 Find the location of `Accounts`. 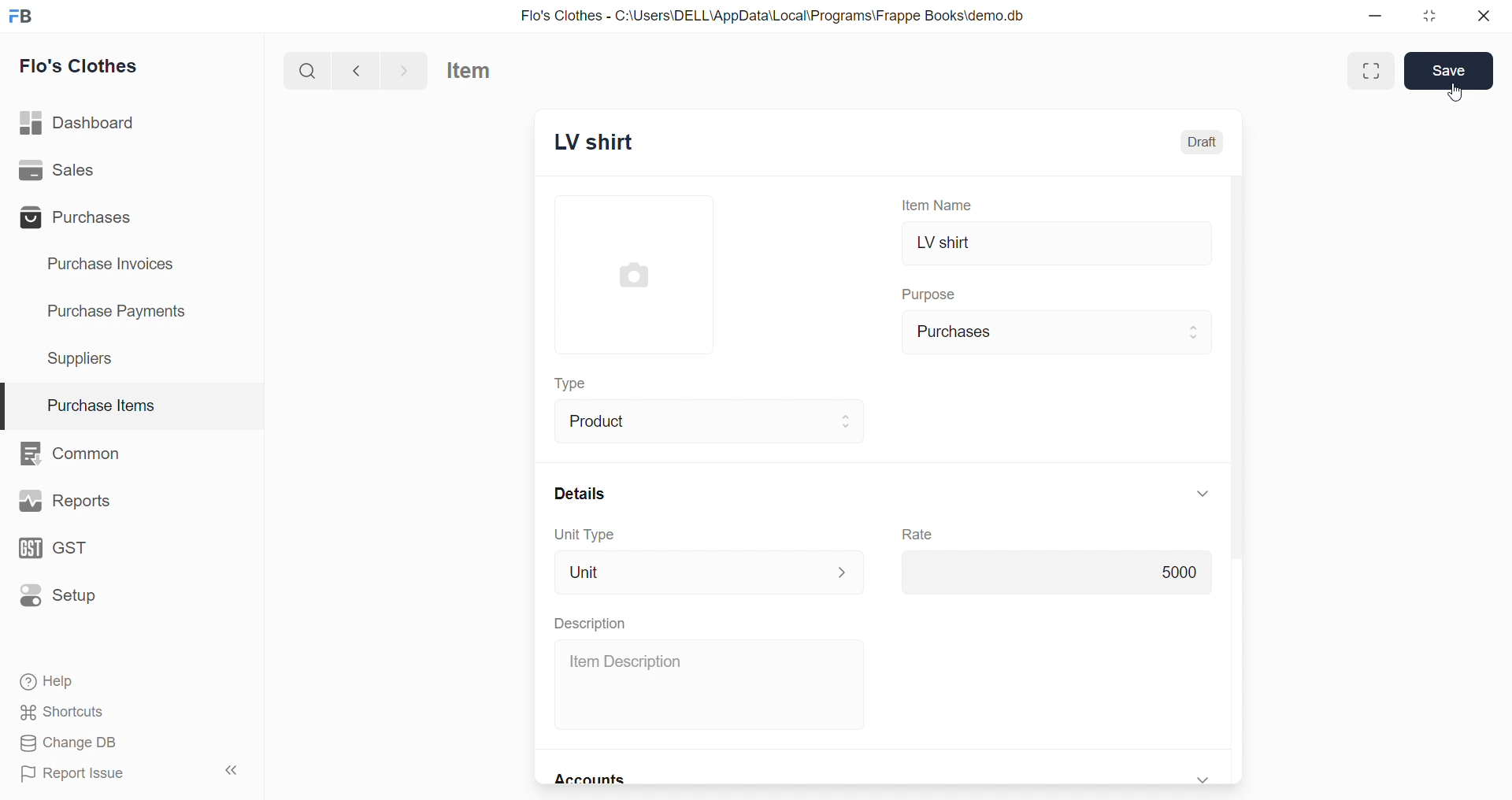

Accounts is located at coordinates (595, 780).